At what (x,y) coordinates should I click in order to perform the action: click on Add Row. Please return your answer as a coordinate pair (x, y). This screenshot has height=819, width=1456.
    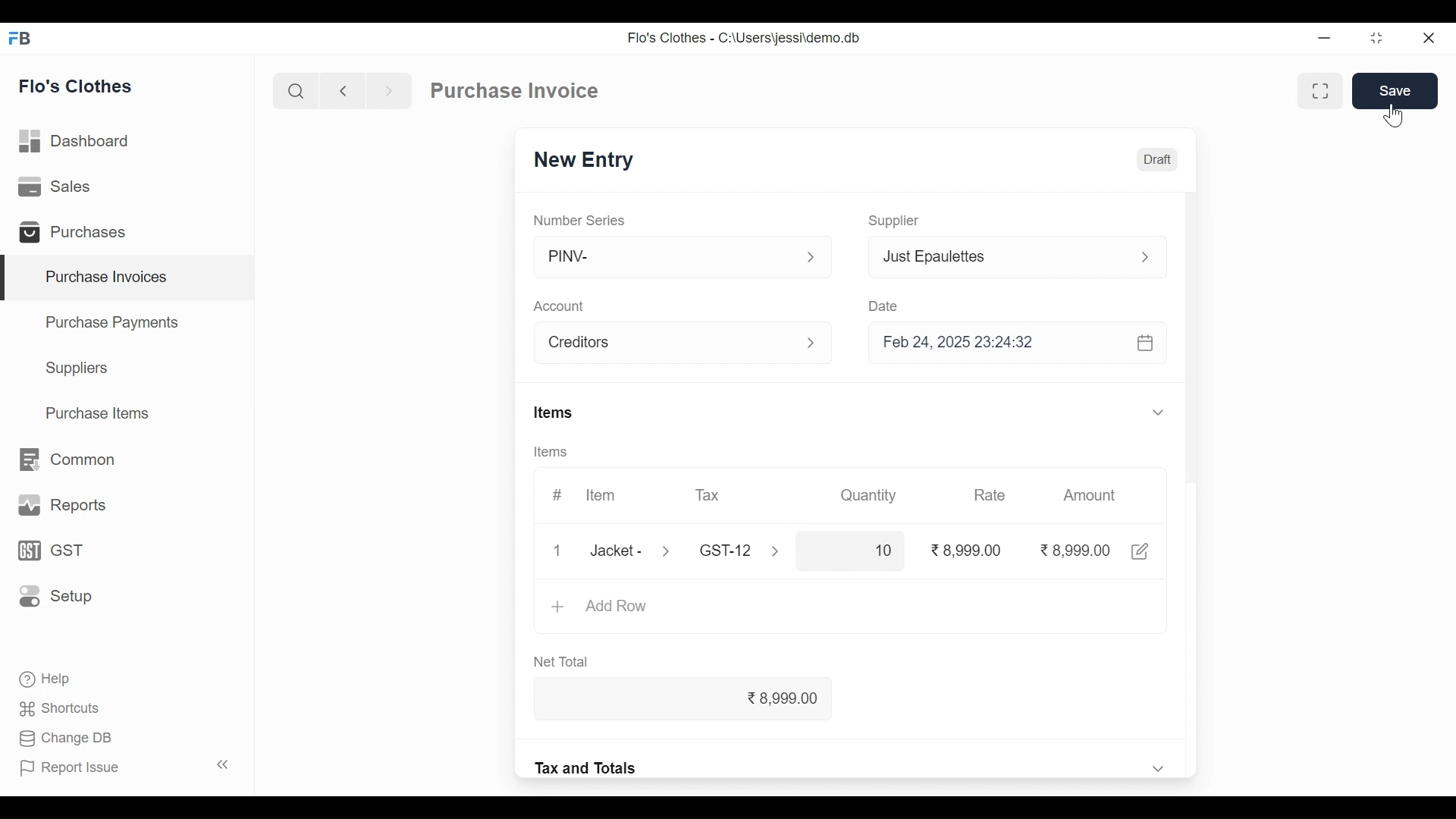
    Looking at the image, I should click on (620, 607).